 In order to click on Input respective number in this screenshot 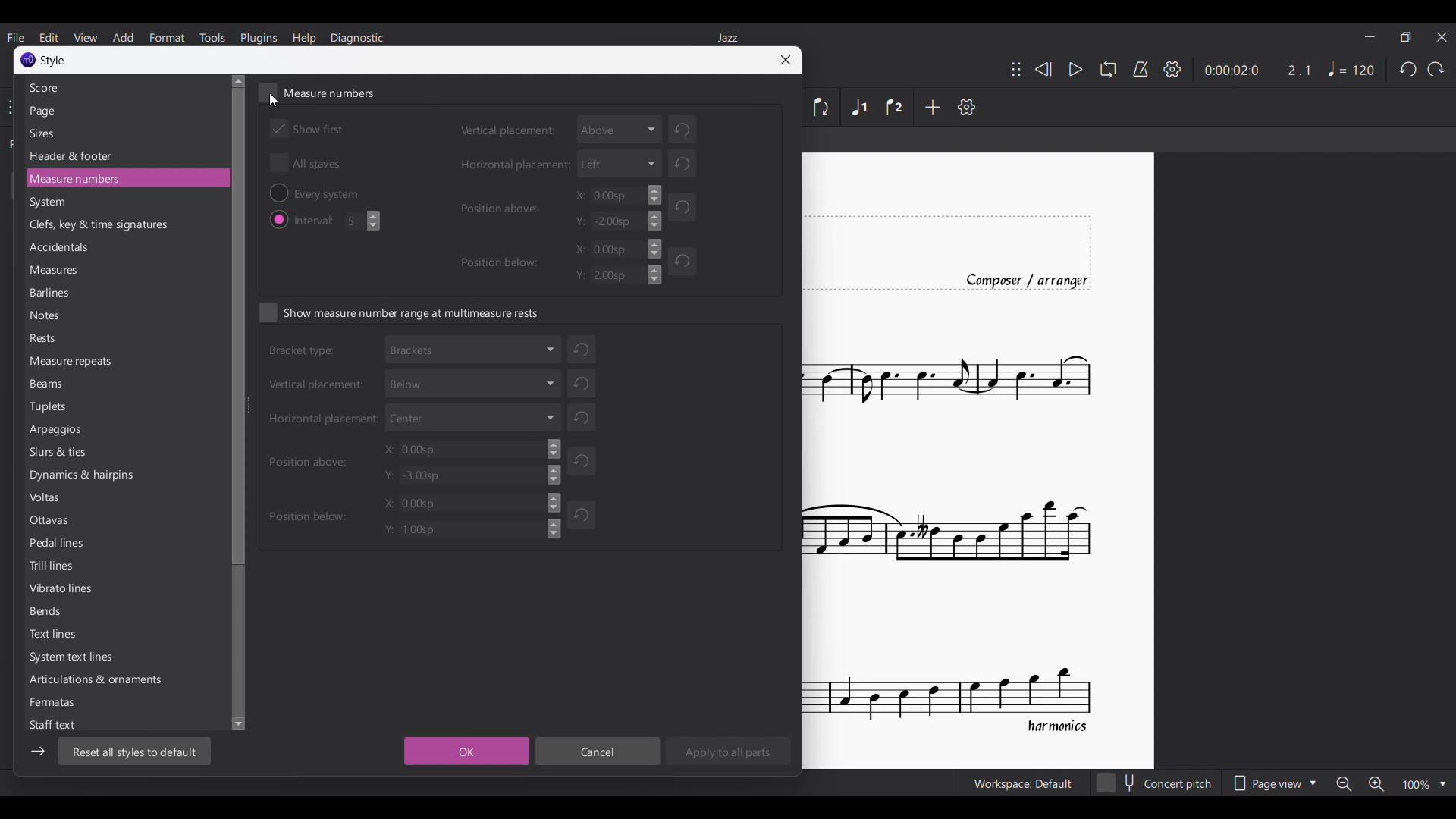, I will do `click(363, 221)`.